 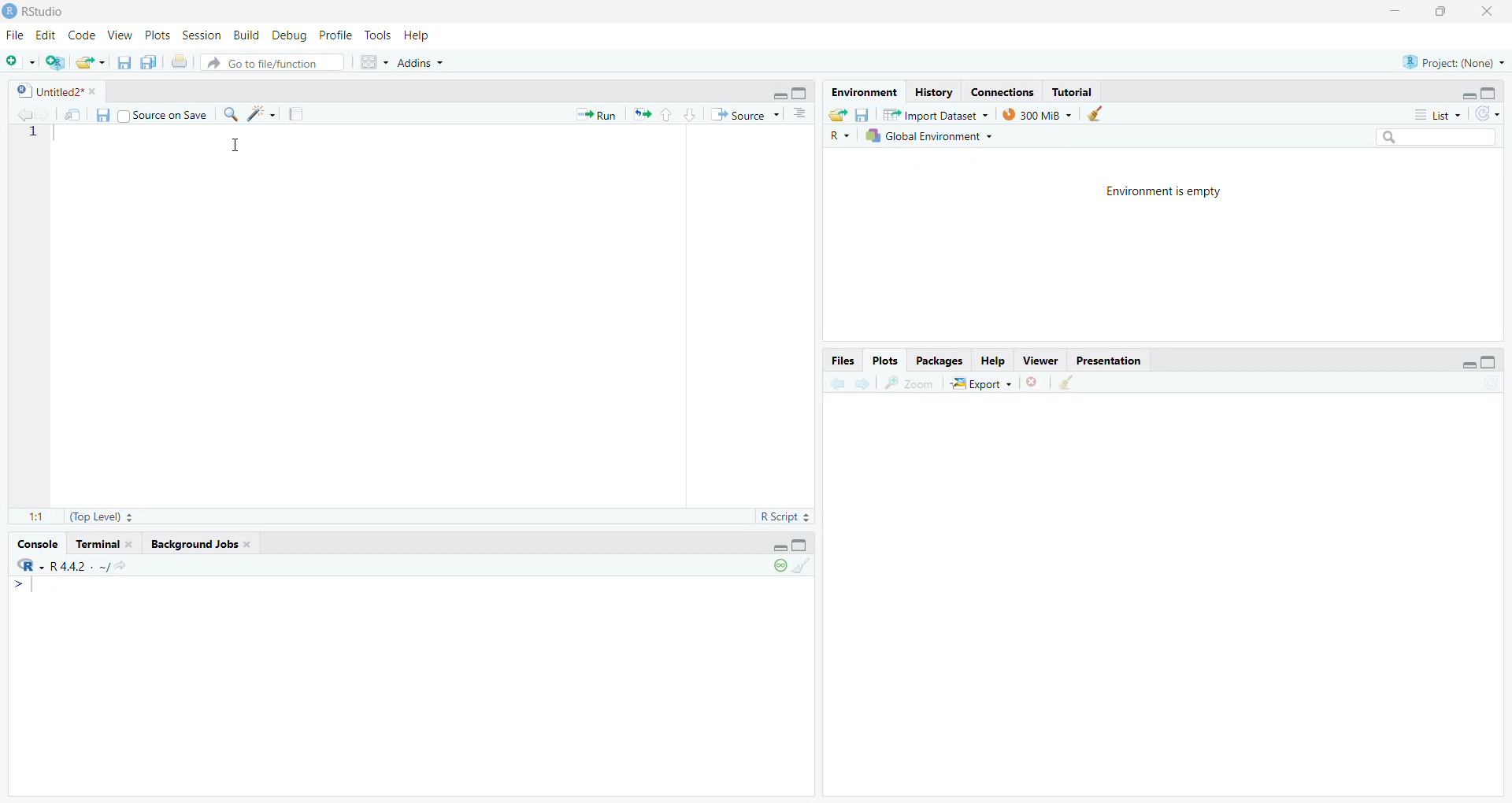 I want to click on open an existing file, so click(x=91, y=62).